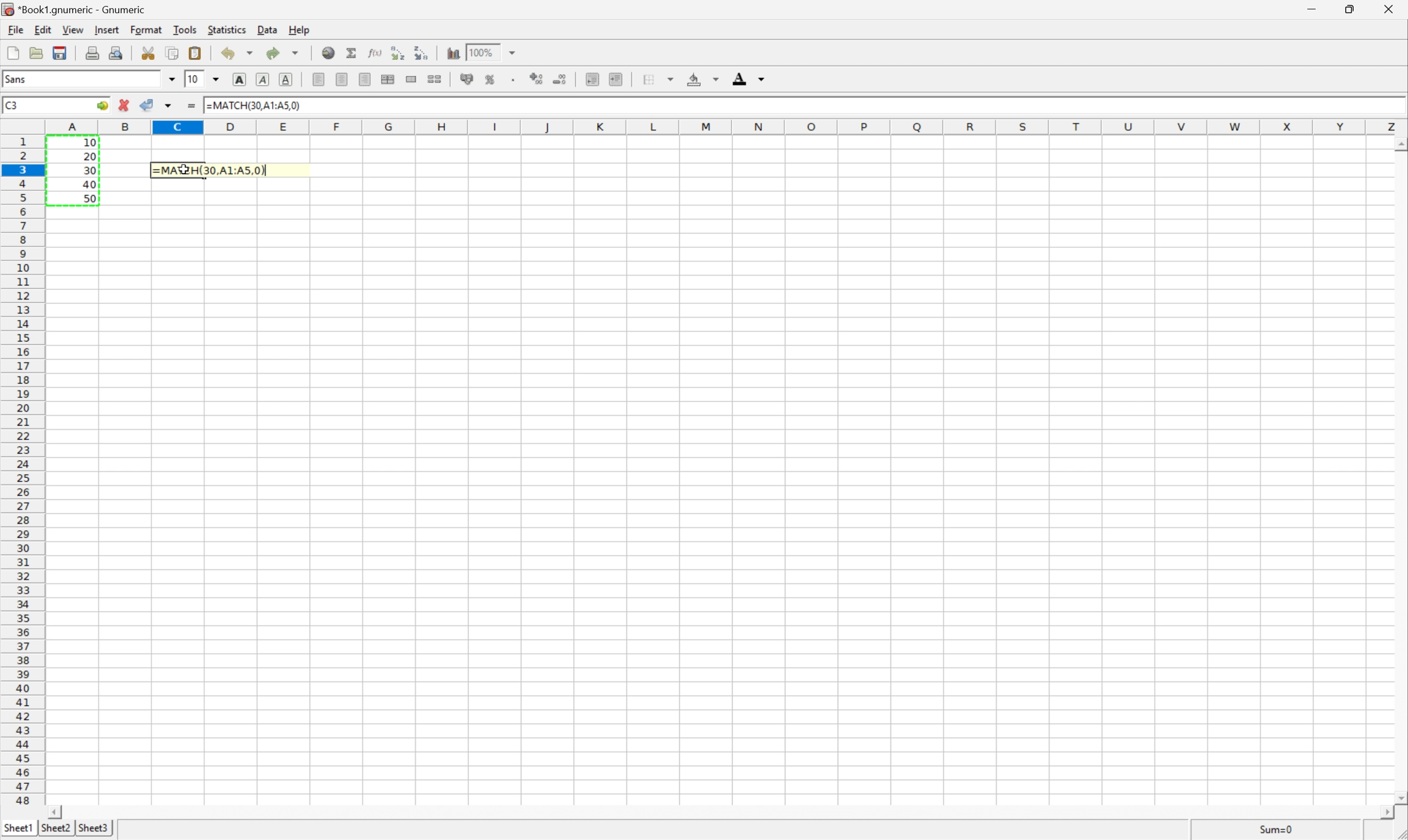 This screenshot has width=1408, height=840. What do you see at coordinates (55, 829) in the screenshot?
I see `Sheet2` at bounding box center [55, 829].